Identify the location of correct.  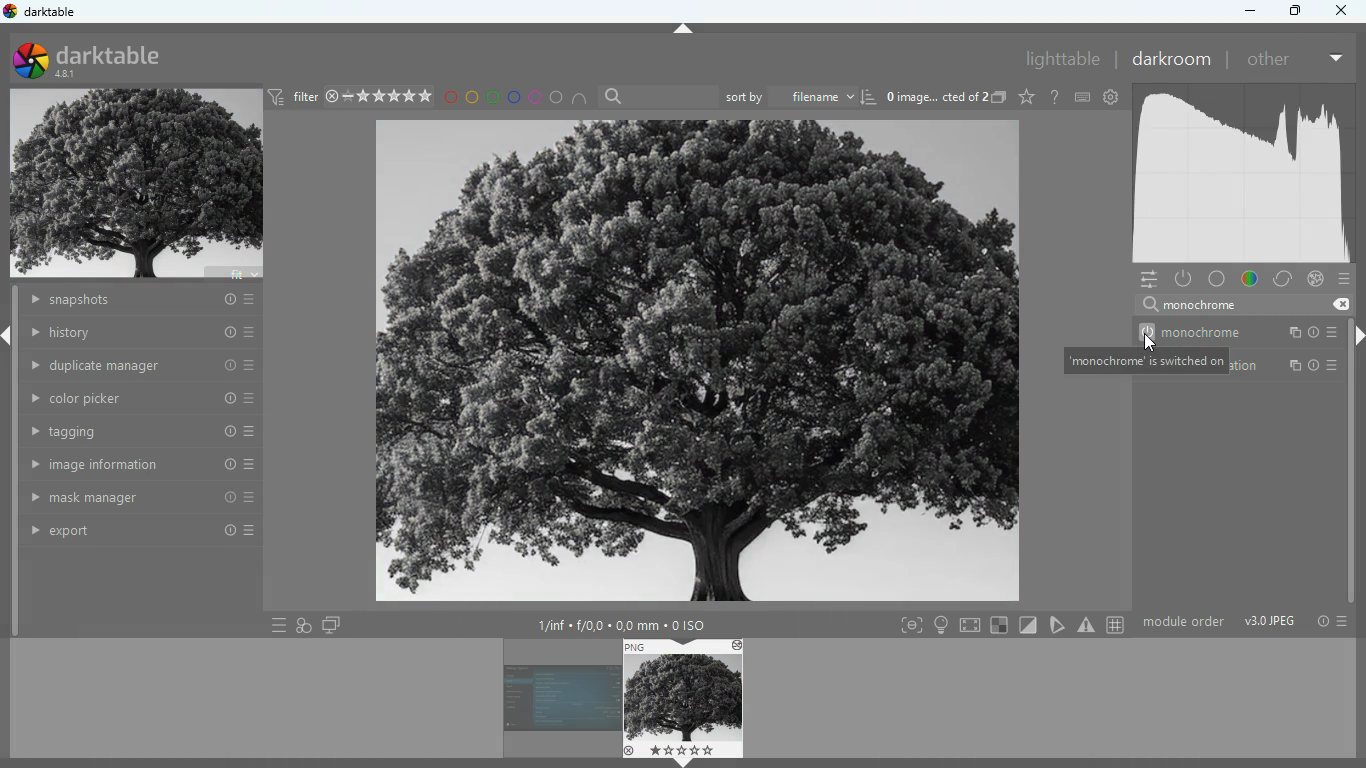
(1280, 279).